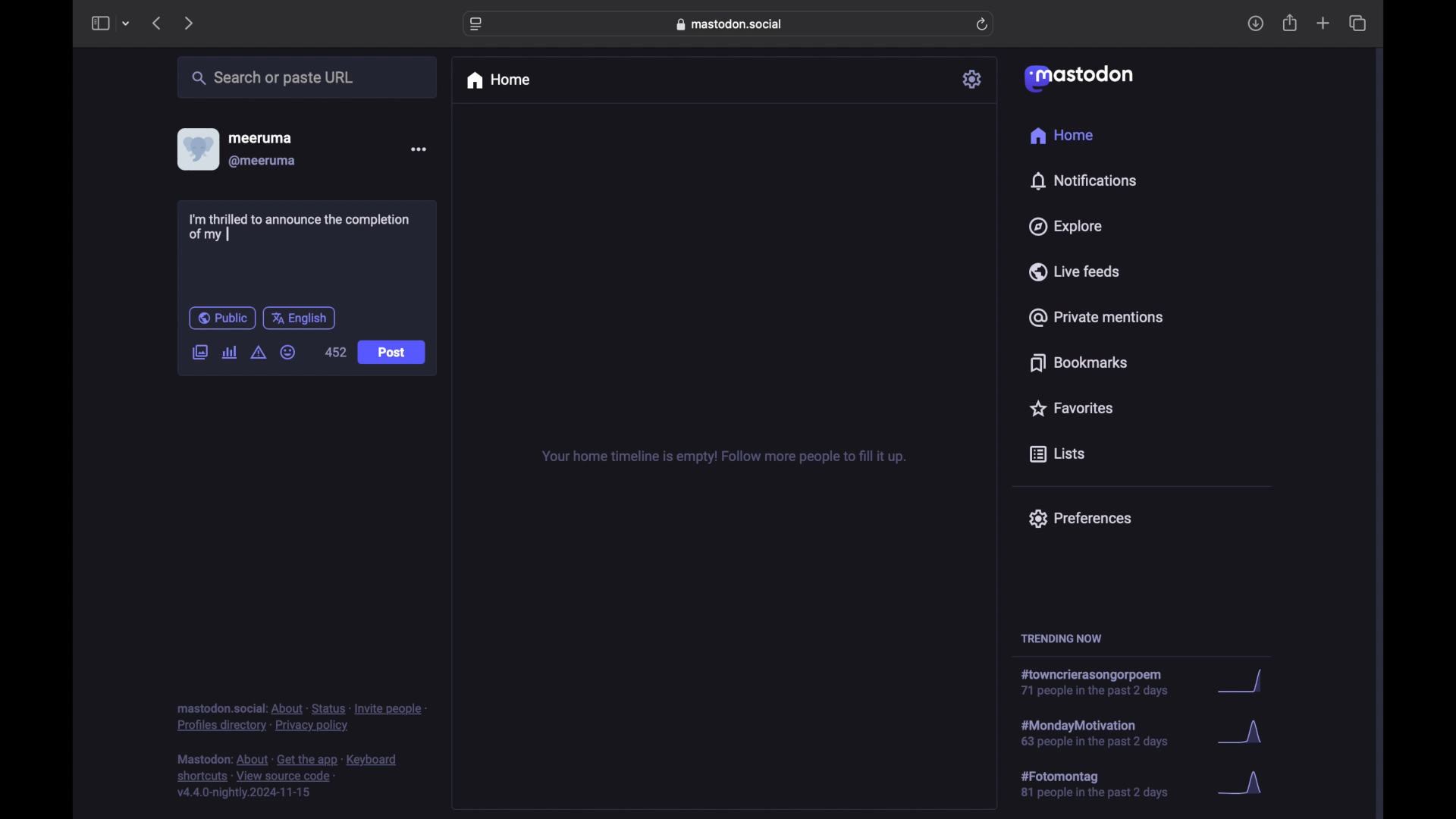 The height and width of the screenshot is (819, 1456). What do you see at coordinates (393, 353) in the screenshot?
I see `post` at bounding box center [393, 353].